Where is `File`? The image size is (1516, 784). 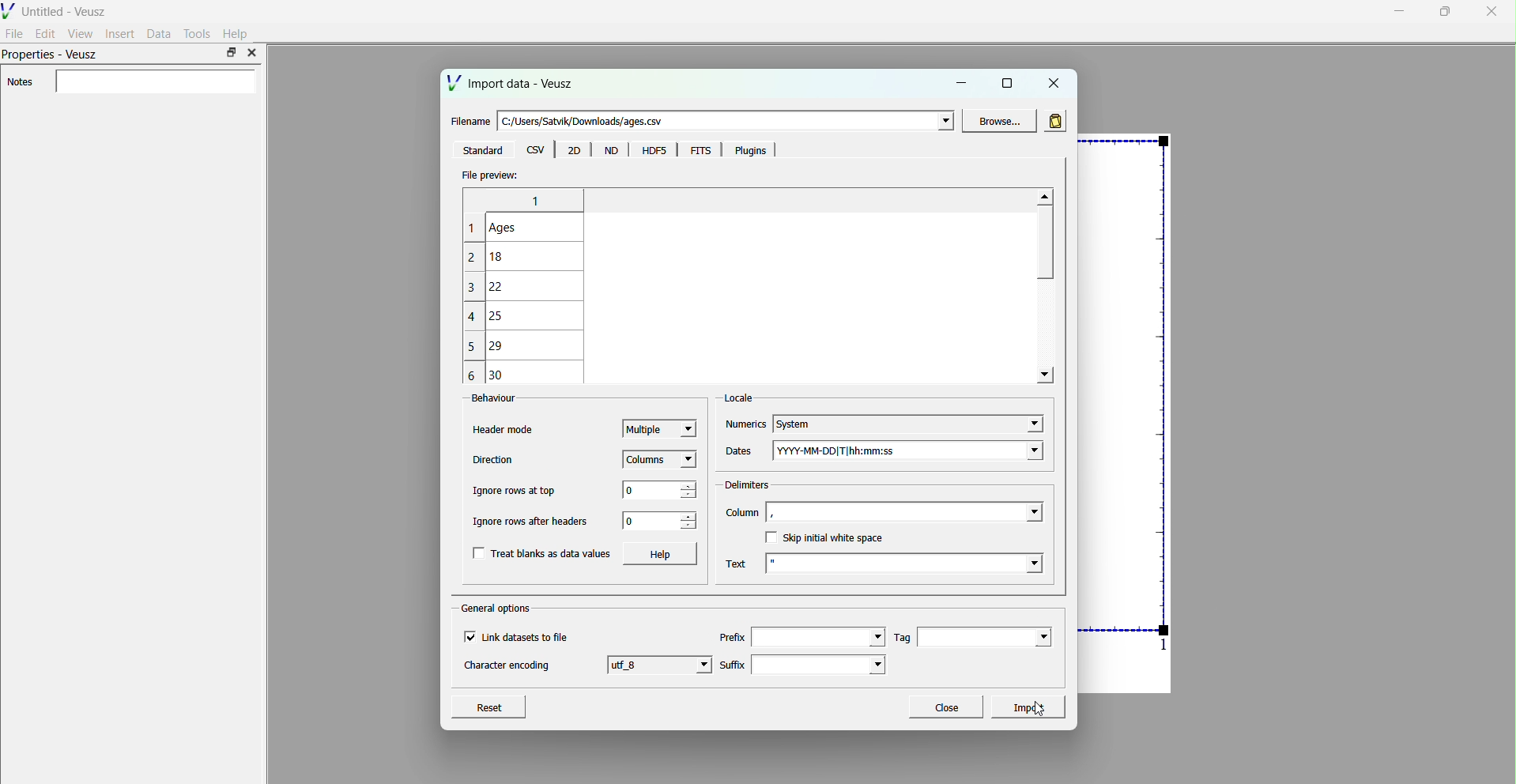 File is located at coordinates (15, 32).